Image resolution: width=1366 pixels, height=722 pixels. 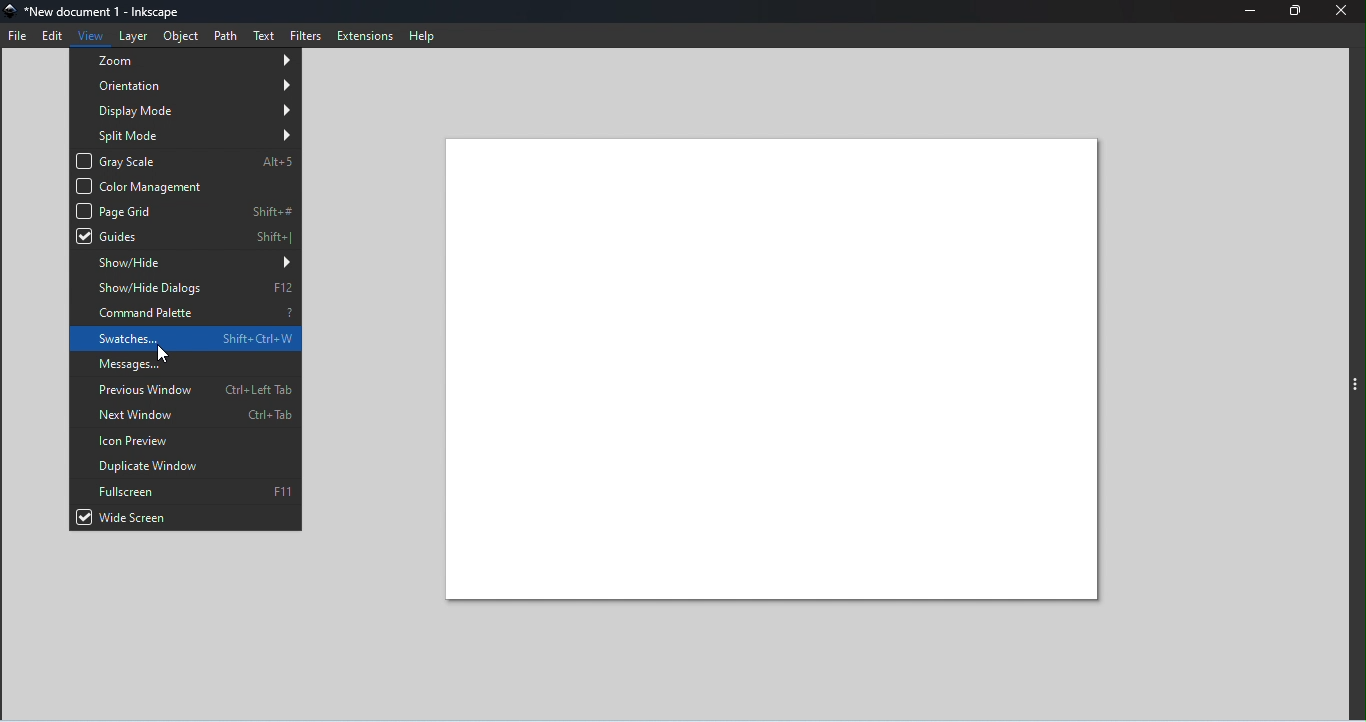 What do you see at coordinates (95, 35) in the screenshot?
I see `View` at bounding box center [95, 35].